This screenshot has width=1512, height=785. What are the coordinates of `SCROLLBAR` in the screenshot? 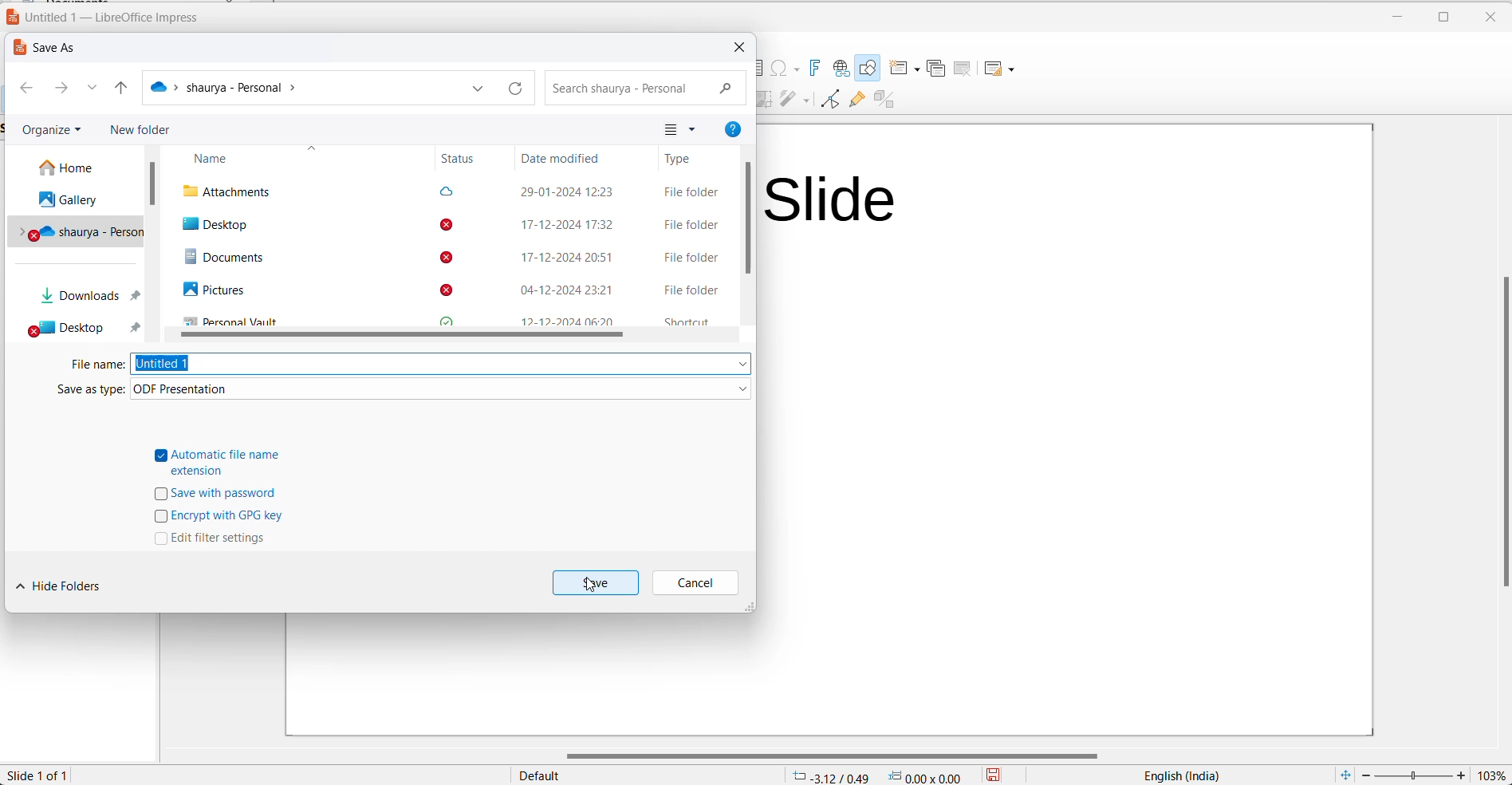 It's located at (409, 335).